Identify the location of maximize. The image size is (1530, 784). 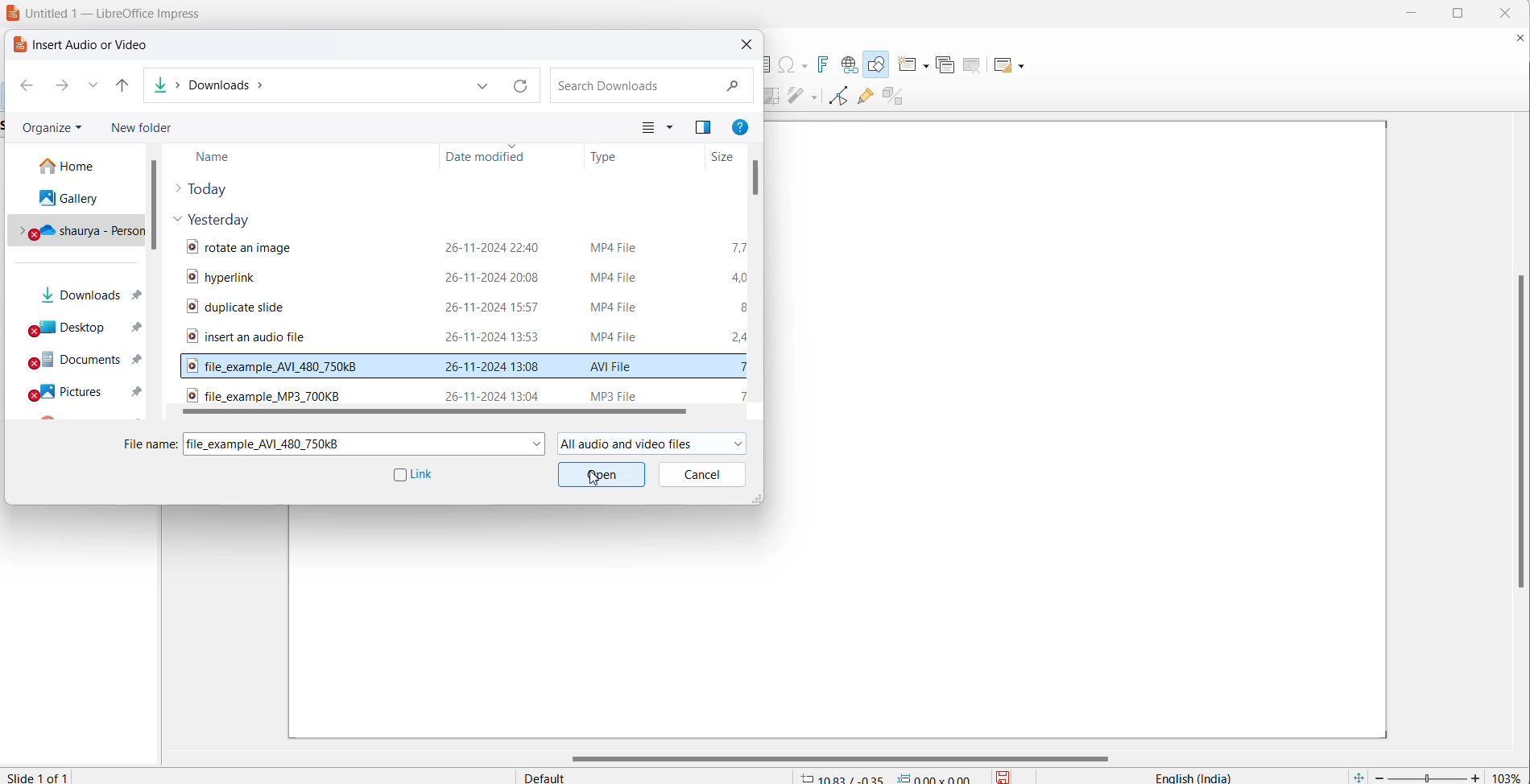
(1461, 15).